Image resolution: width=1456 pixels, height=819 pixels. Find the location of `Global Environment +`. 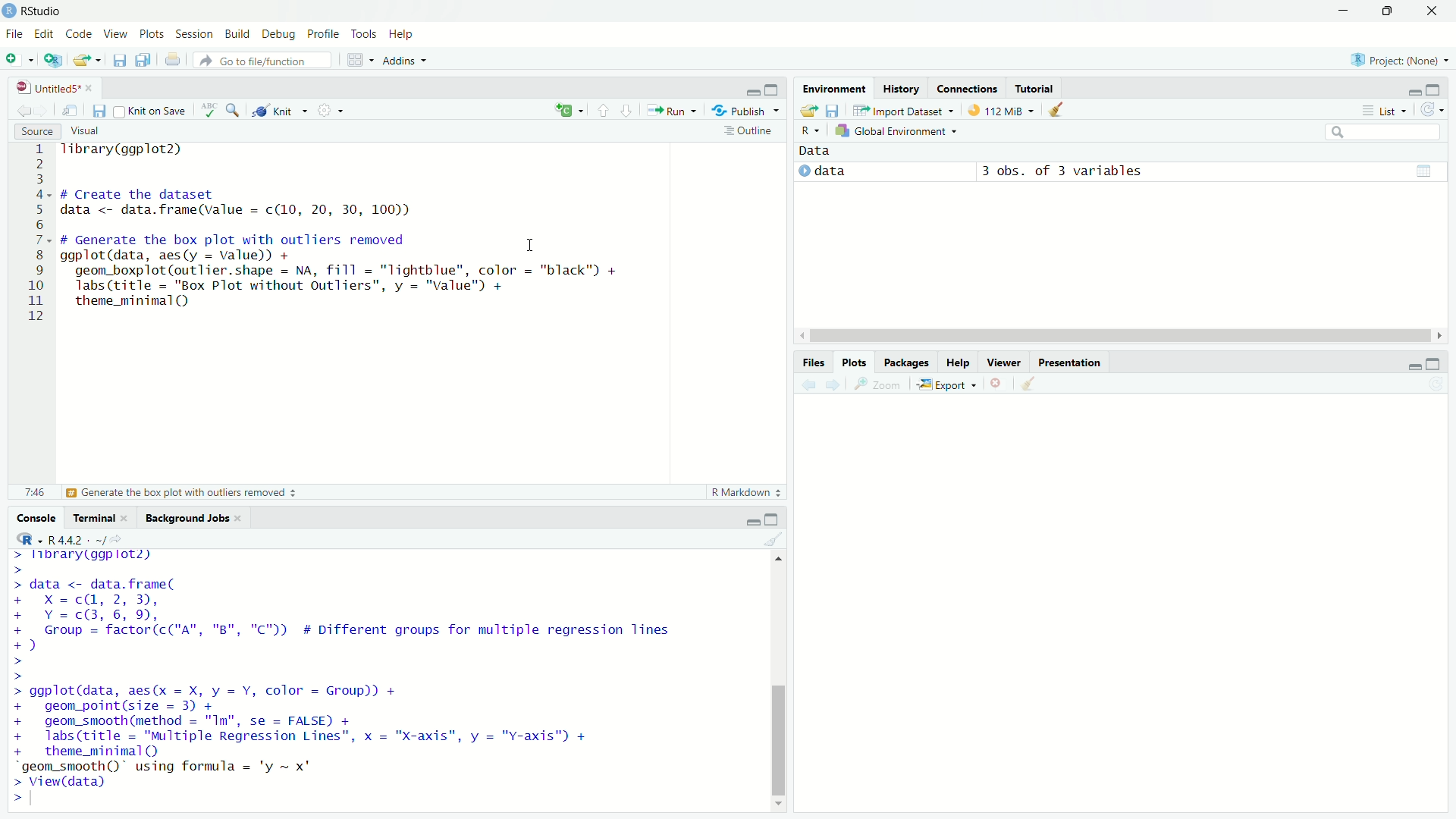

Global Environment + is located at coordinates (899, 132).